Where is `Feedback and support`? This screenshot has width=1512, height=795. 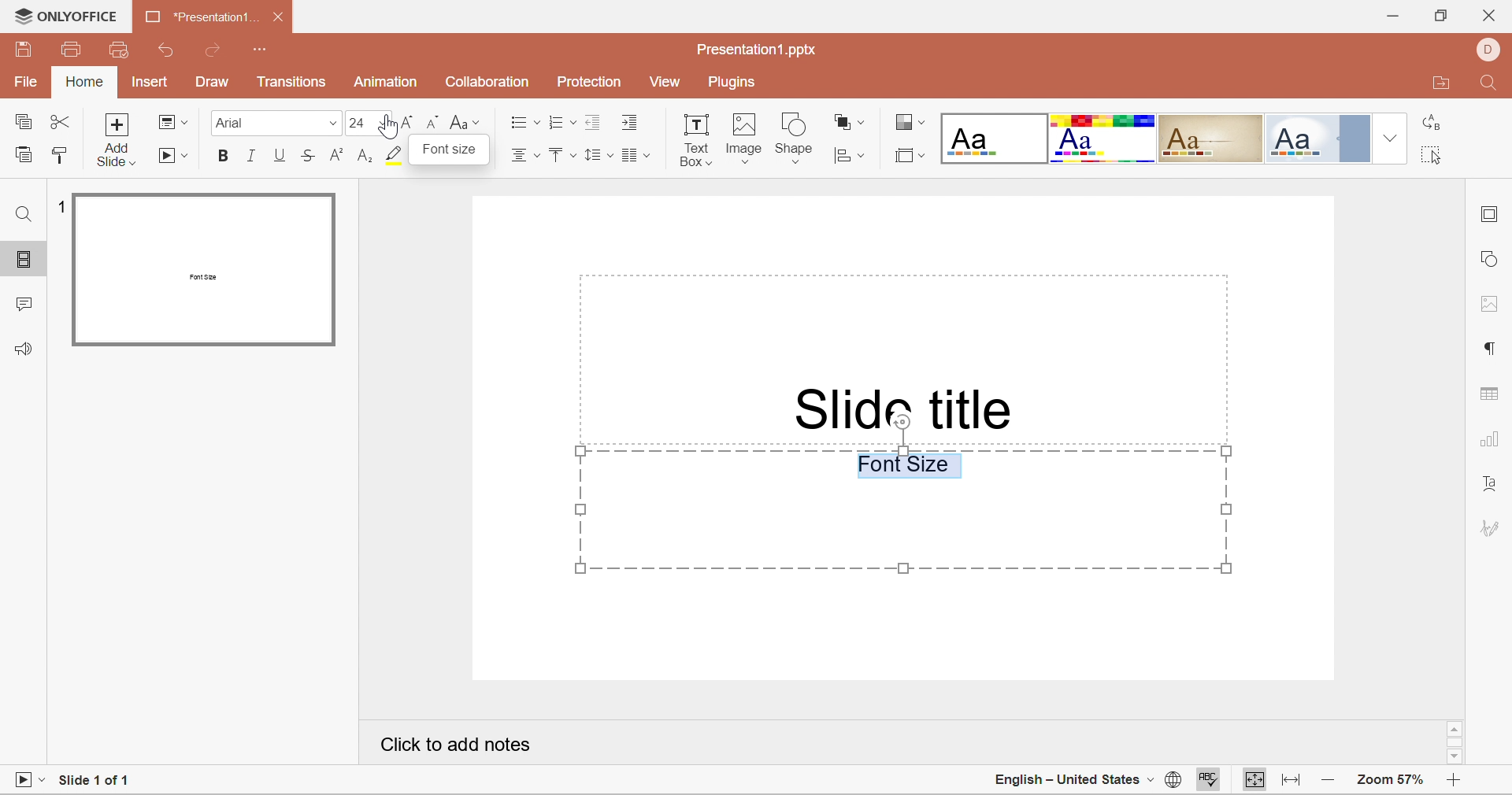
Feedback and support is located at coordinates (27, 349).